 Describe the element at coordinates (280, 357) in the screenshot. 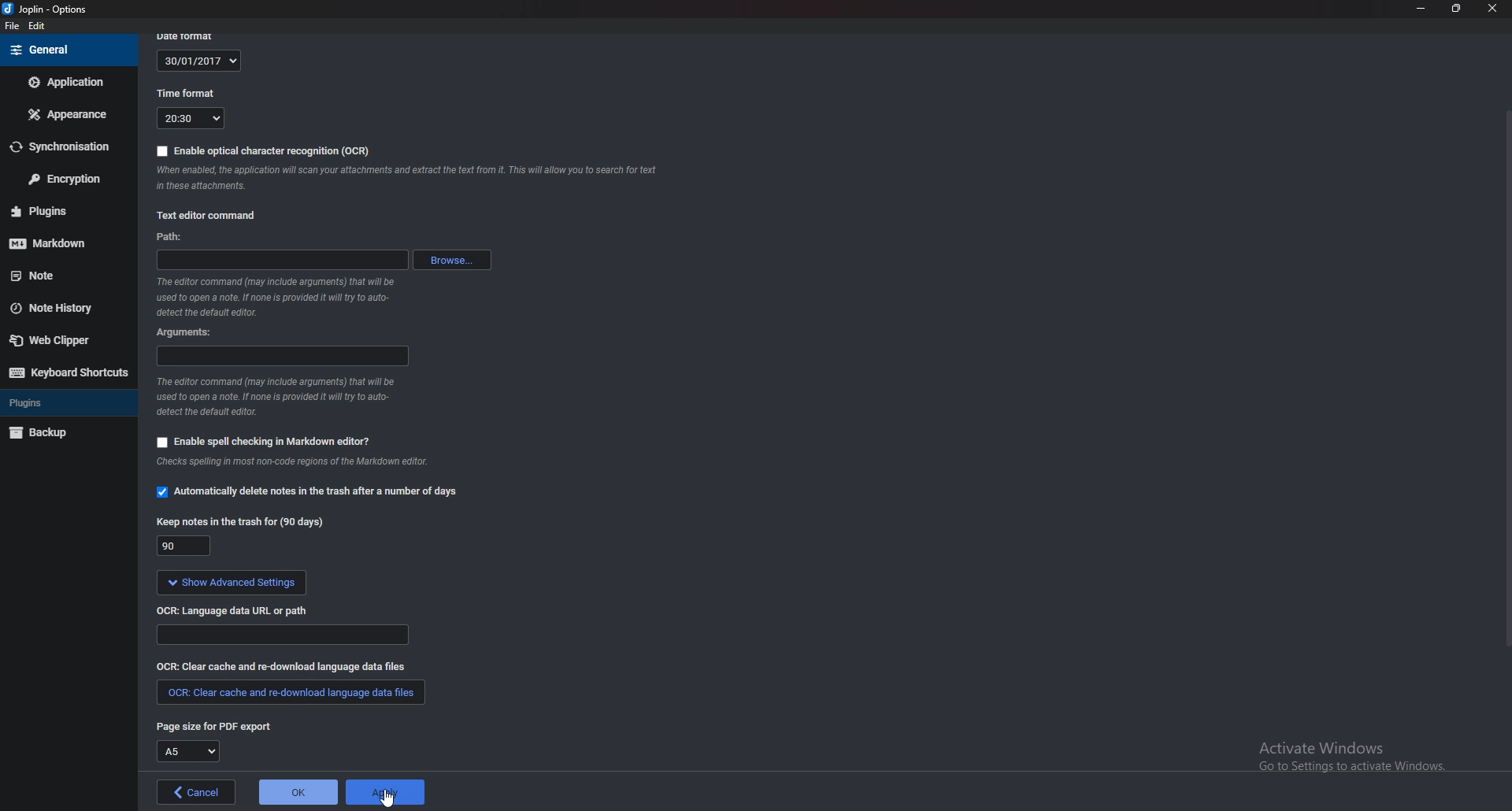

I see `arguments` at that location.